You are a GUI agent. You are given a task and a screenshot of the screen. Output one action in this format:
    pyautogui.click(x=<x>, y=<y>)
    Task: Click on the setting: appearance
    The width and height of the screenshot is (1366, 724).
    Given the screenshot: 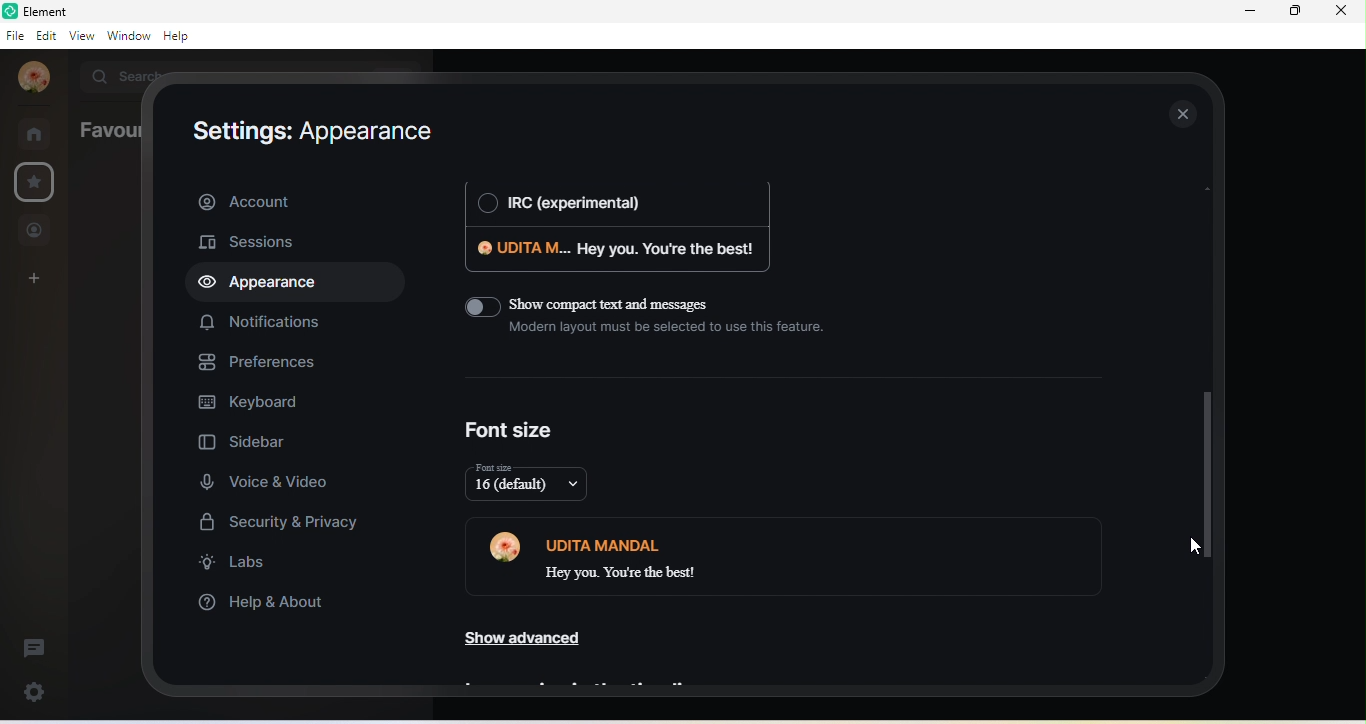 What is the action you would take?
    pyautogui.click(x=305, y=133)
    